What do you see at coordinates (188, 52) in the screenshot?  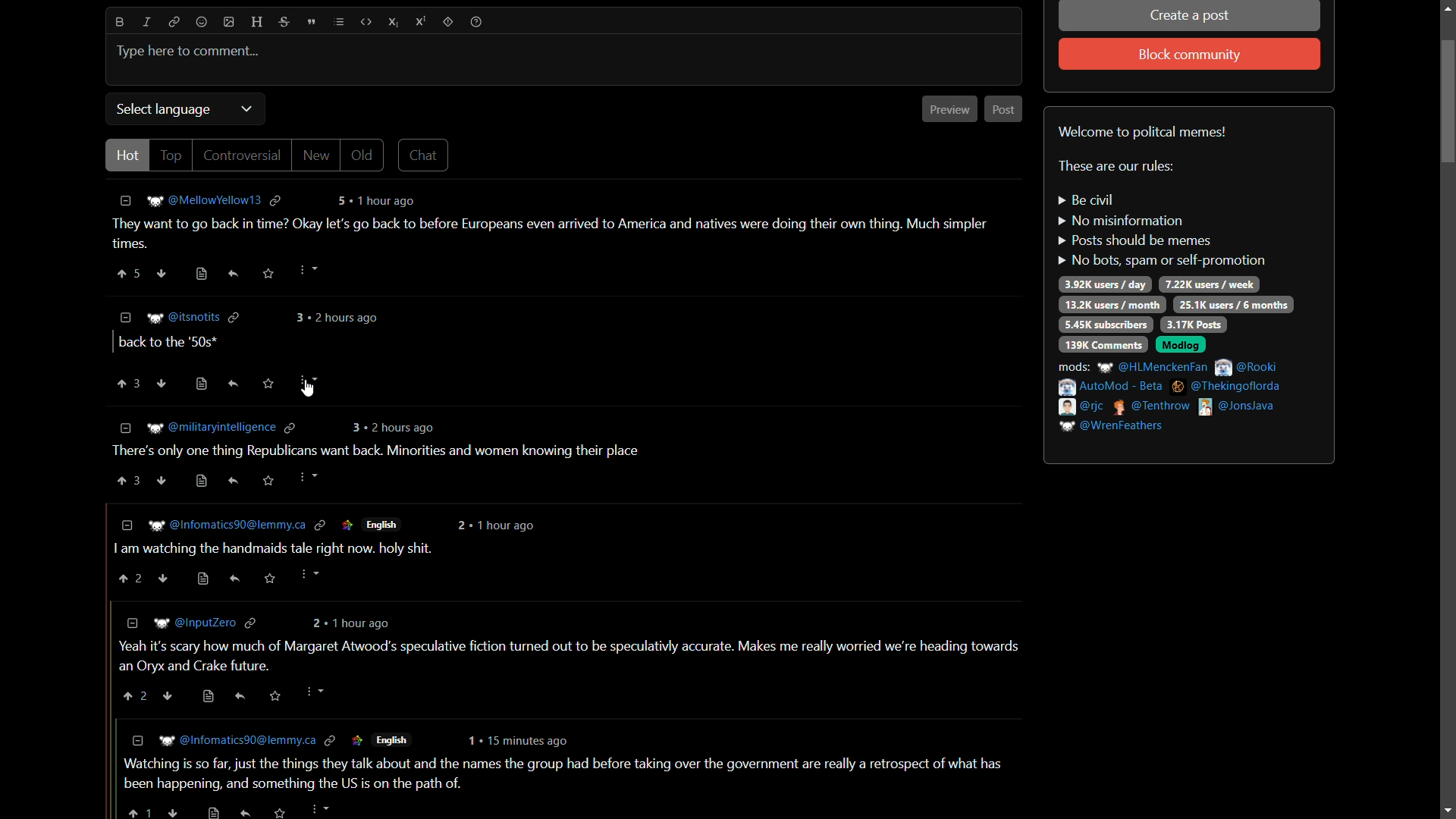 I see `type here to comment` at bounding box center [188, 52].